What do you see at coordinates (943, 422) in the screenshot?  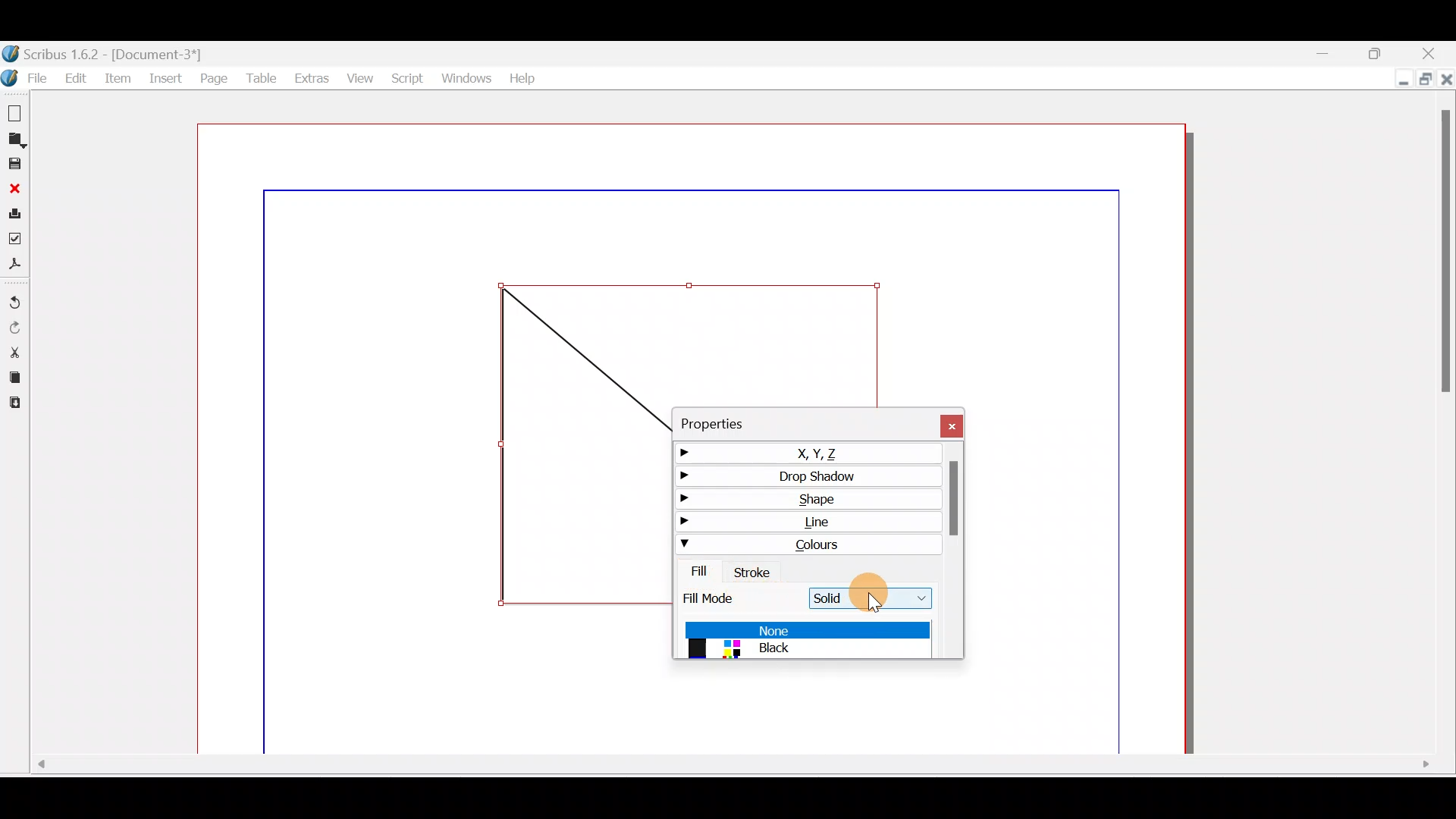 I see `Close` at bounding box center [943, 422].